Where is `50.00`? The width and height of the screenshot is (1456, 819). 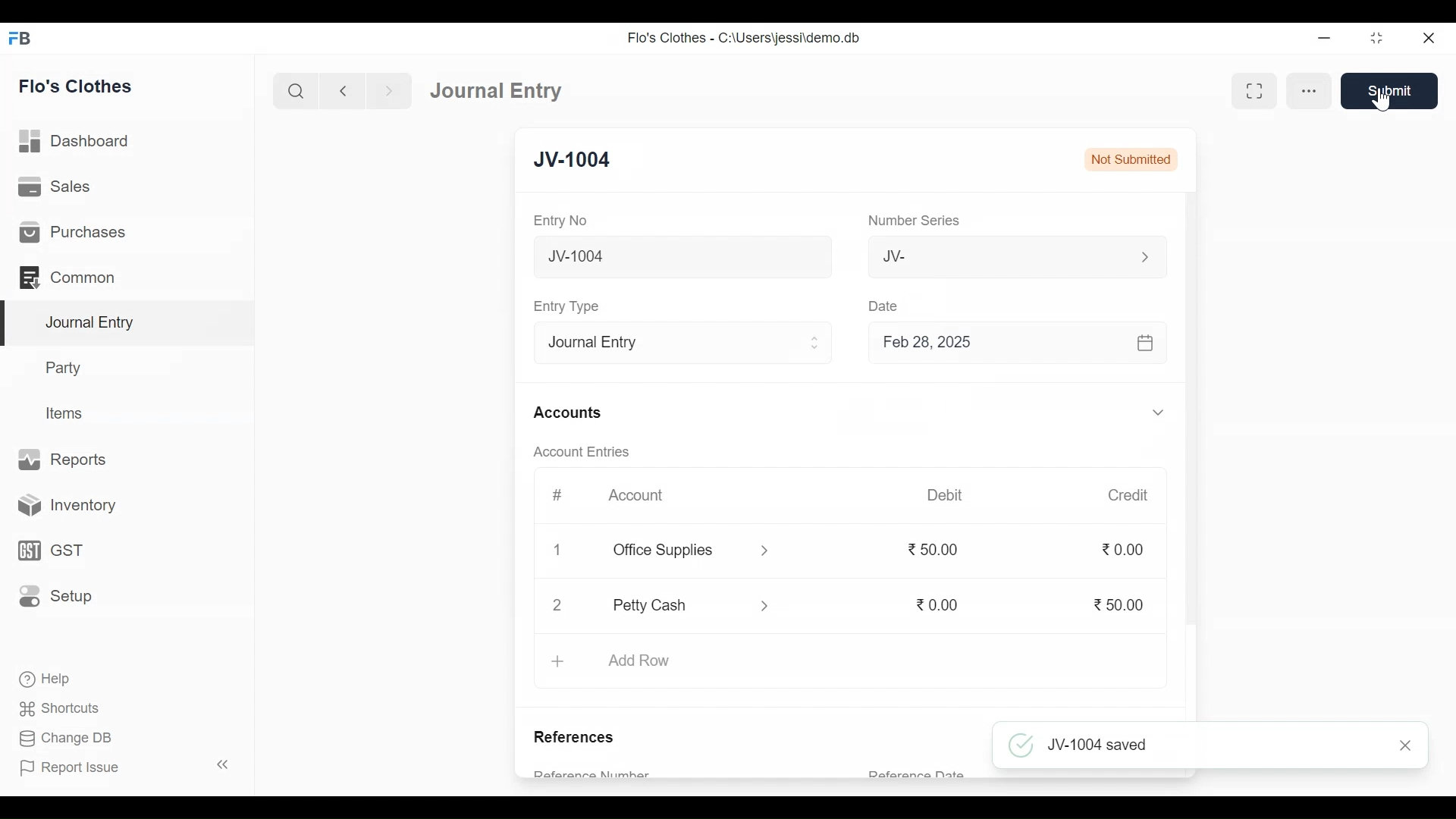
50.00 is located at coordinates (939, 549).